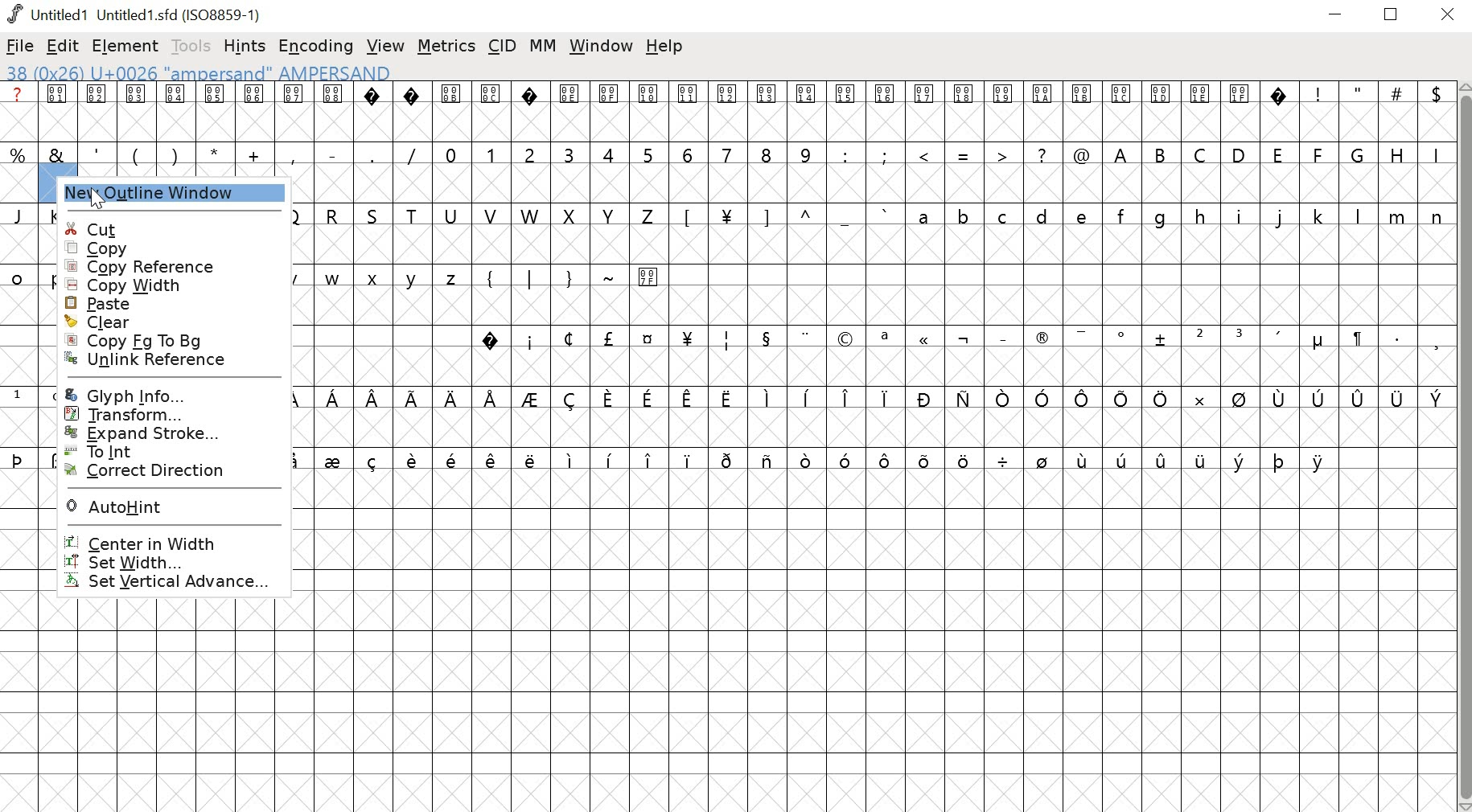 The image size is (1472, 812). Describe the element at coordinates (1084, 215) in the screenshot. I see `e` at that location.